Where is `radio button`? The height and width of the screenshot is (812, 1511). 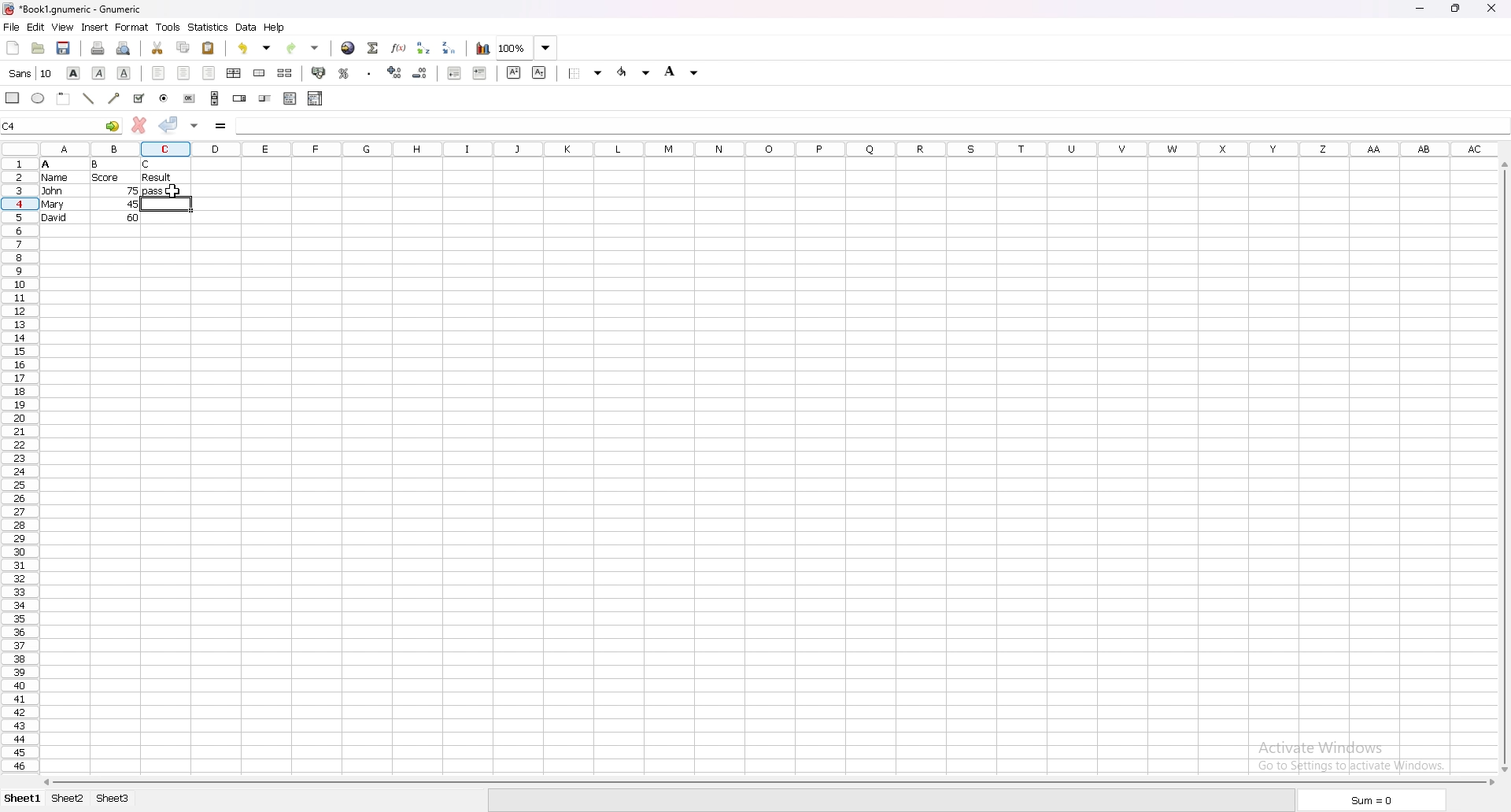
radio button is located at coordinates (164, 98).